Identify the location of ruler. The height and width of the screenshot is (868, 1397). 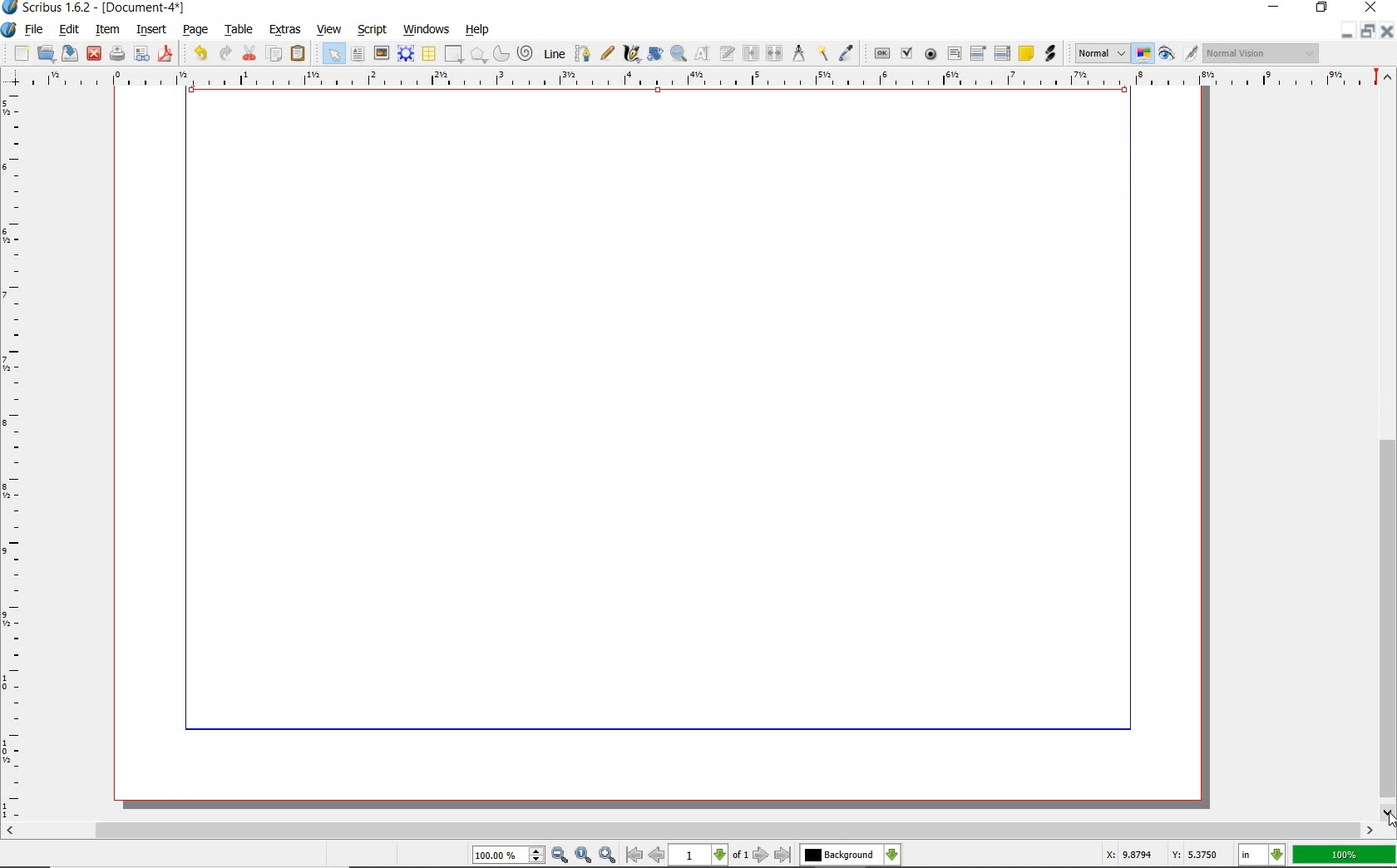
(701, 79).